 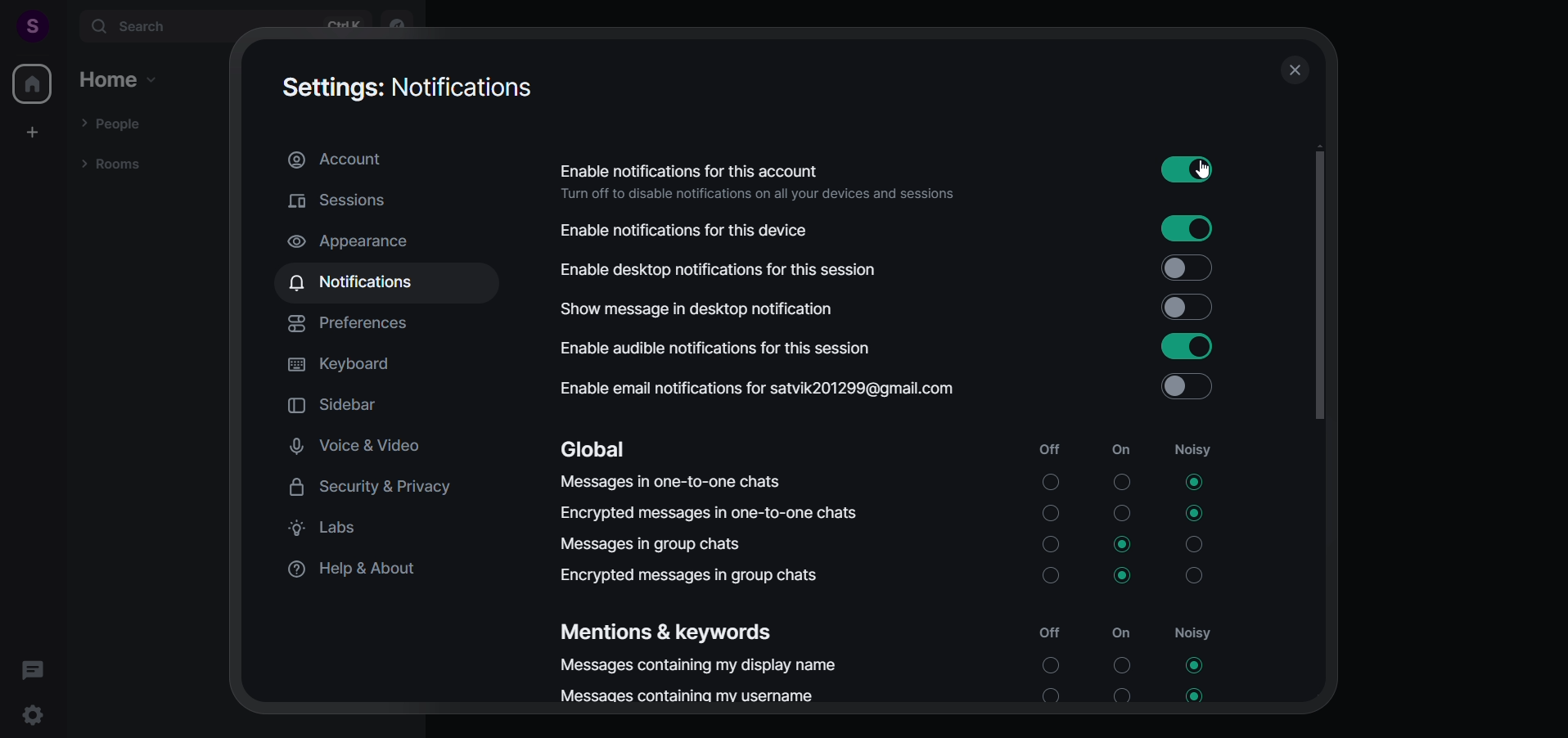 I want to click on help and about, so click(x=363, y=572).